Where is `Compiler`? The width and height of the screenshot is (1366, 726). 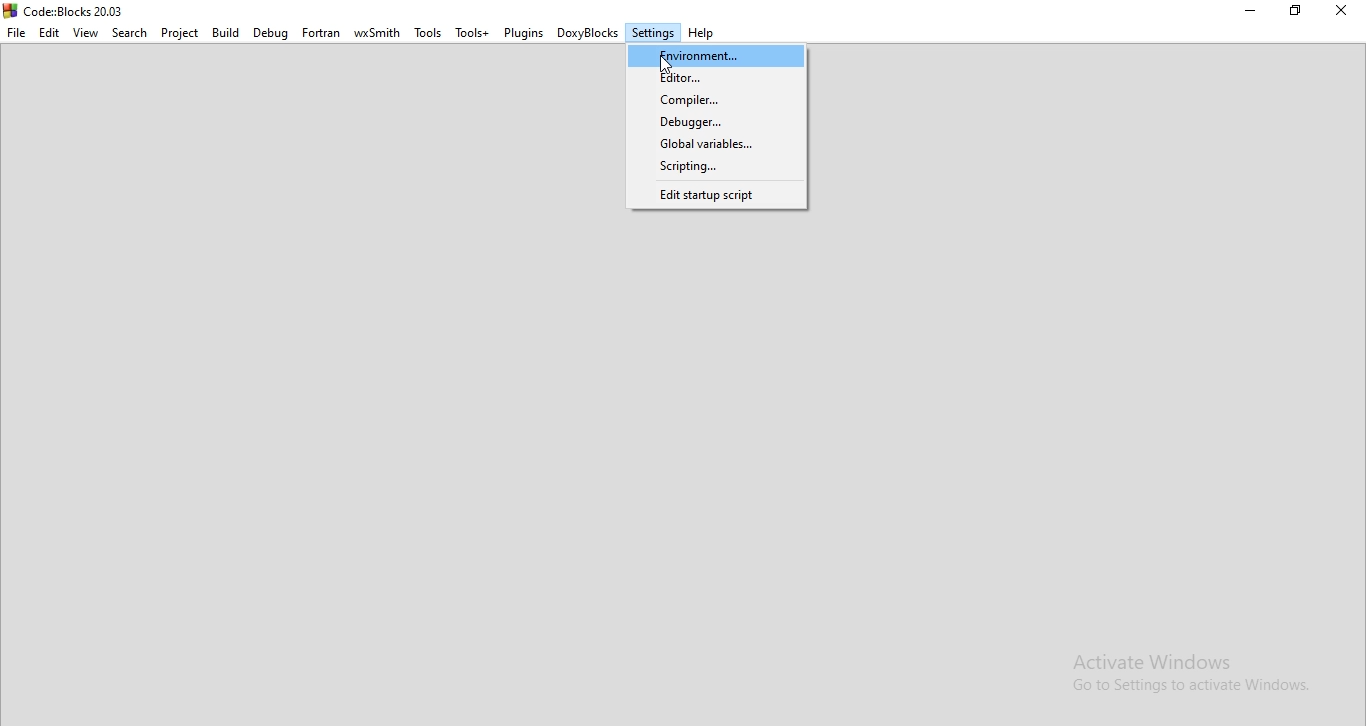 Compiler is located at coordinates (714, 100).